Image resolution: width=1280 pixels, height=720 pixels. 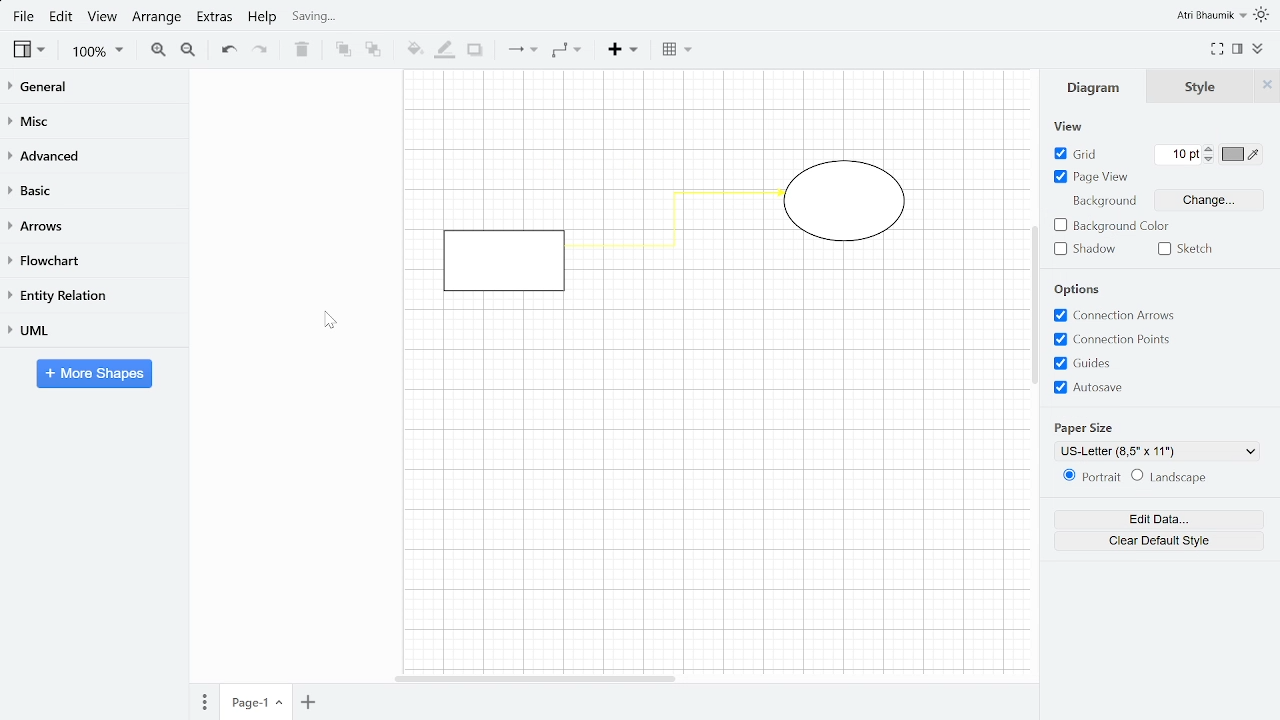 What do you see at coordinates (1180, 154) in the screenshot?
I see `Current grid` at bounding box center [1180, 154].